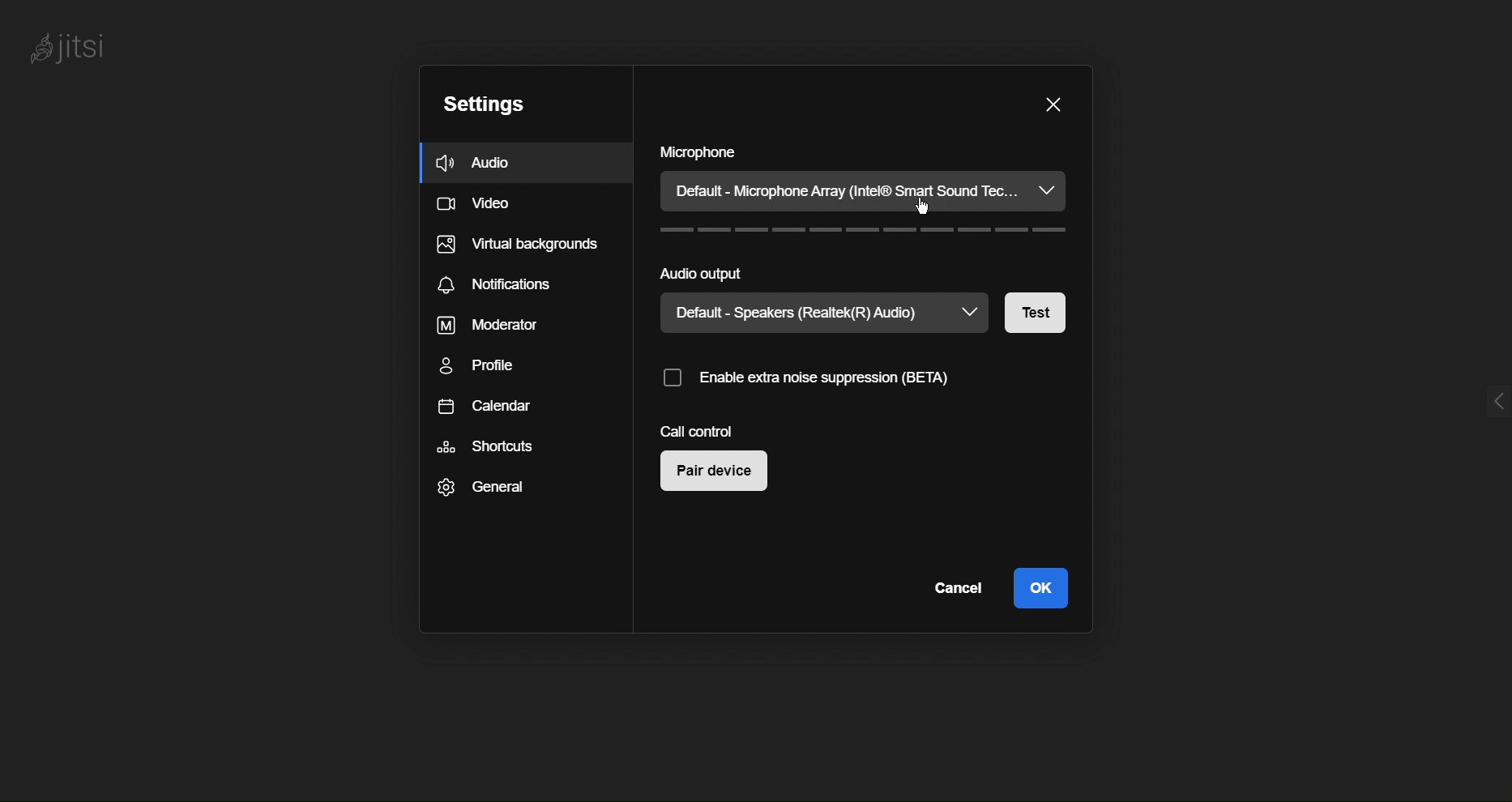  I want to click on Profile, so click(483, 367).